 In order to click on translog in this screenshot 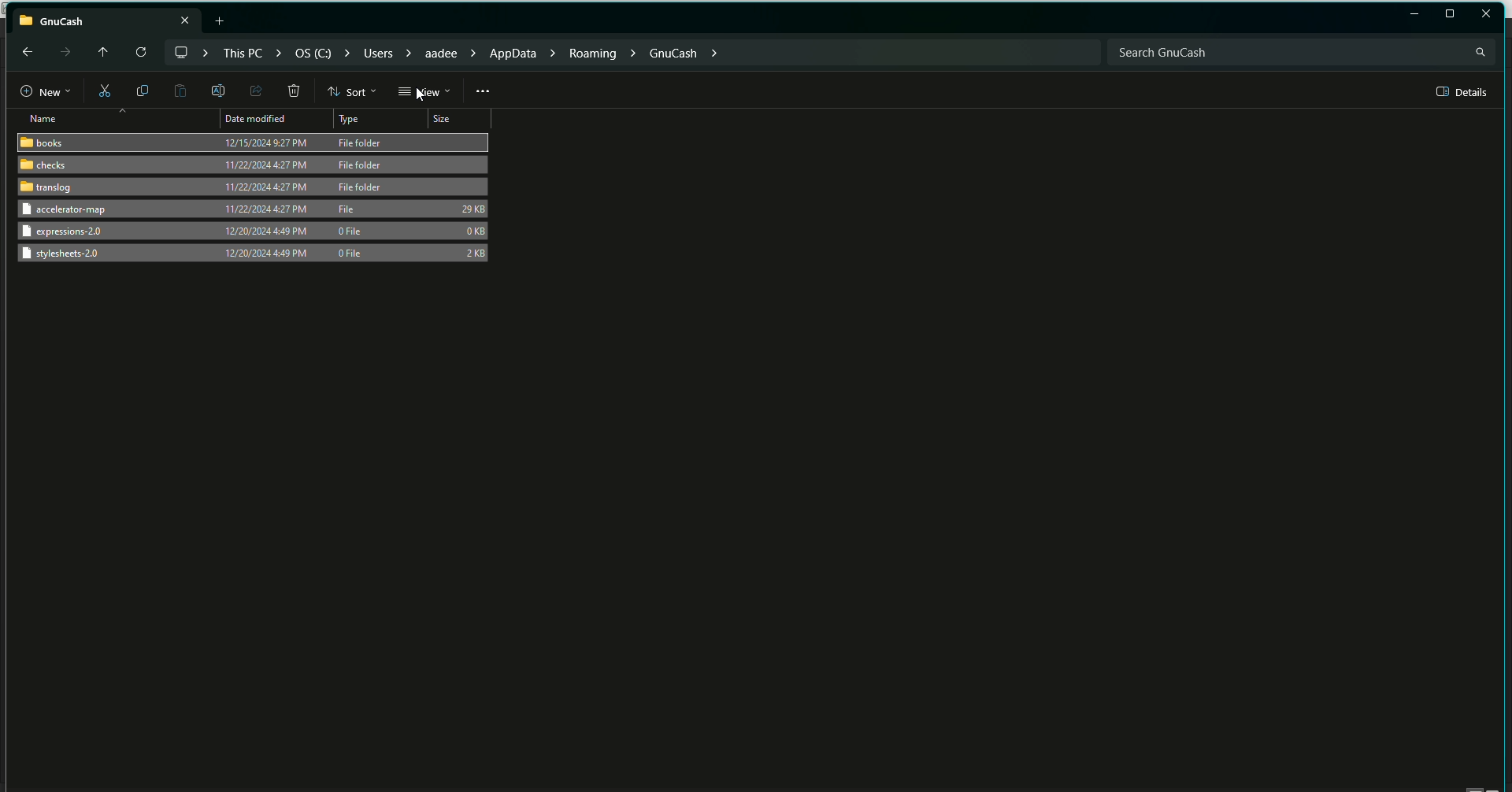, I will do `click(46, 189)`.